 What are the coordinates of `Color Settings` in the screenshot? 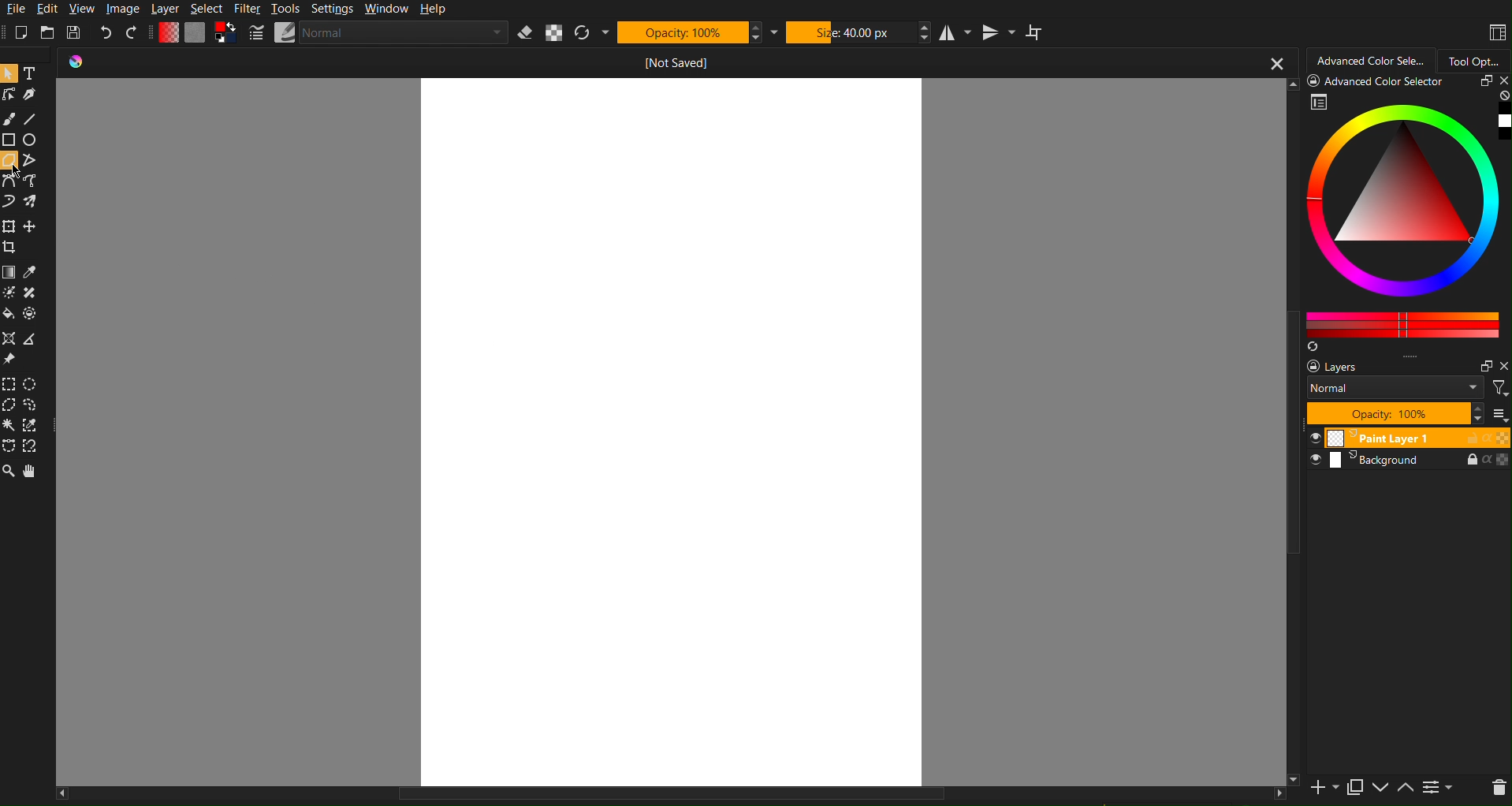 It's located at (196, 32).